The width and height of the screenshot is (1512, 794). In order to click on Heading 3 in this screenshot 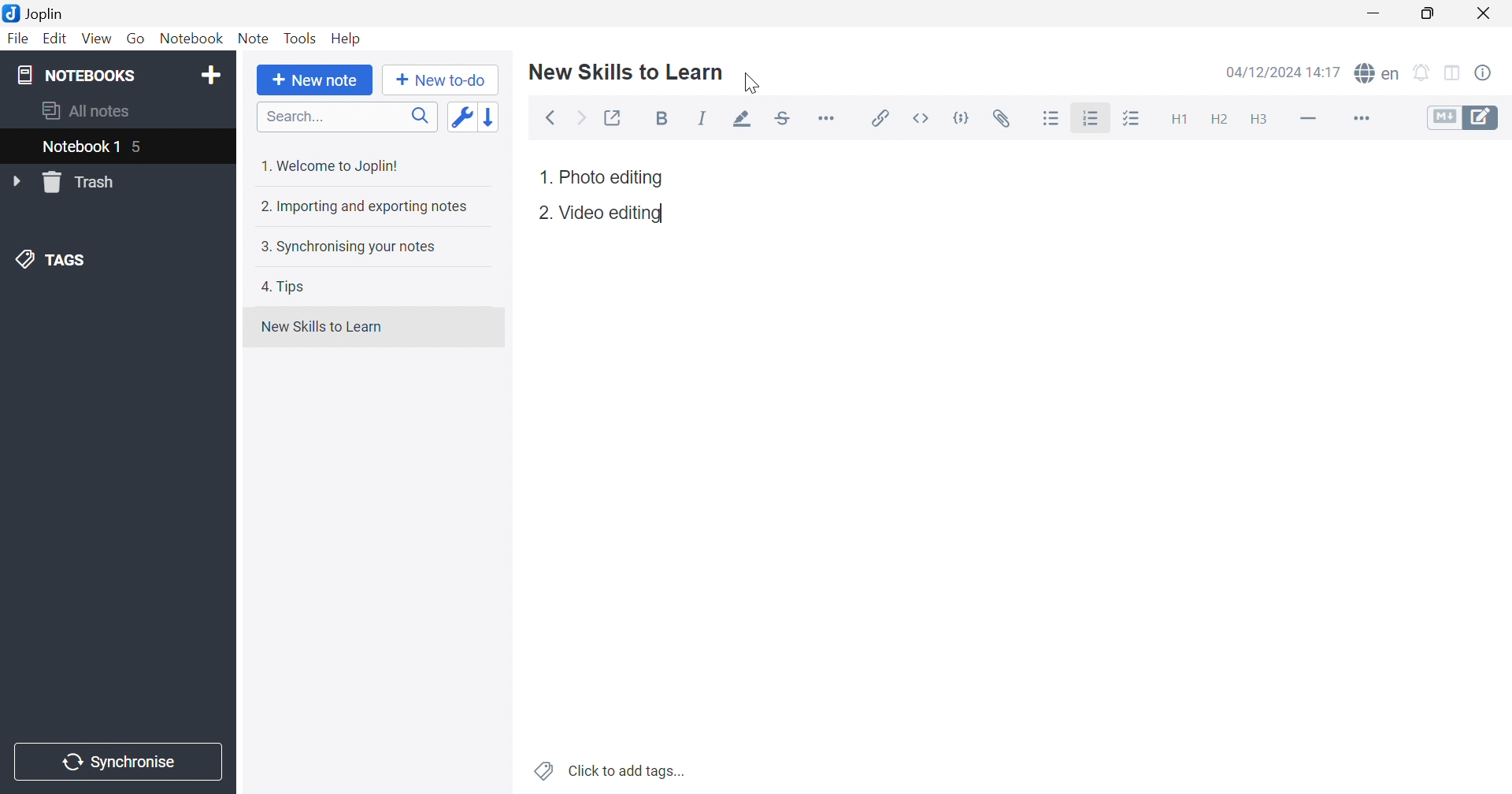, I will do `click(1258, 121)`.